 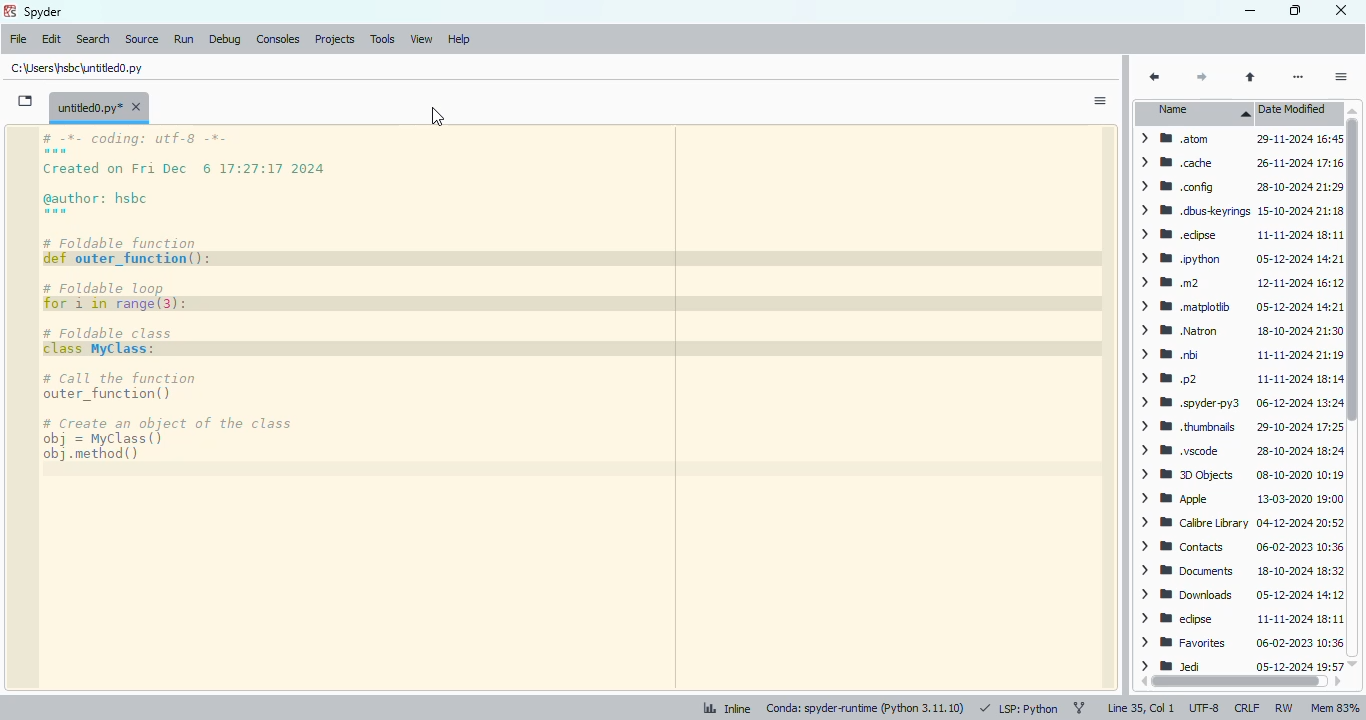 What do you see at coordinates (77, 68) in the screenshot?
I see `untitled0.py` at bounding box center [77, 68].